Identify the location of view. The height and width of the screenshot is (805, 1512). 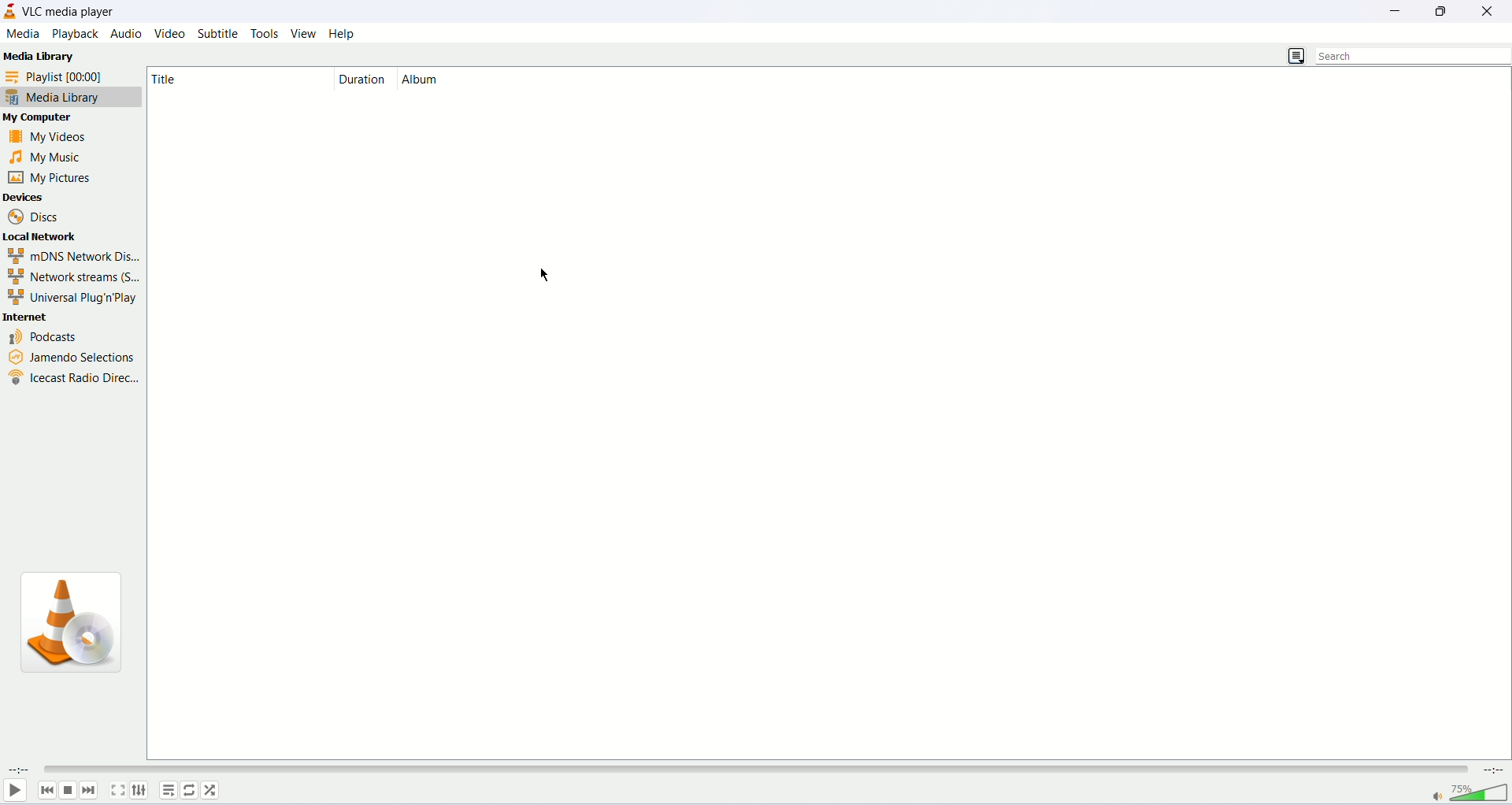
(304, 32).